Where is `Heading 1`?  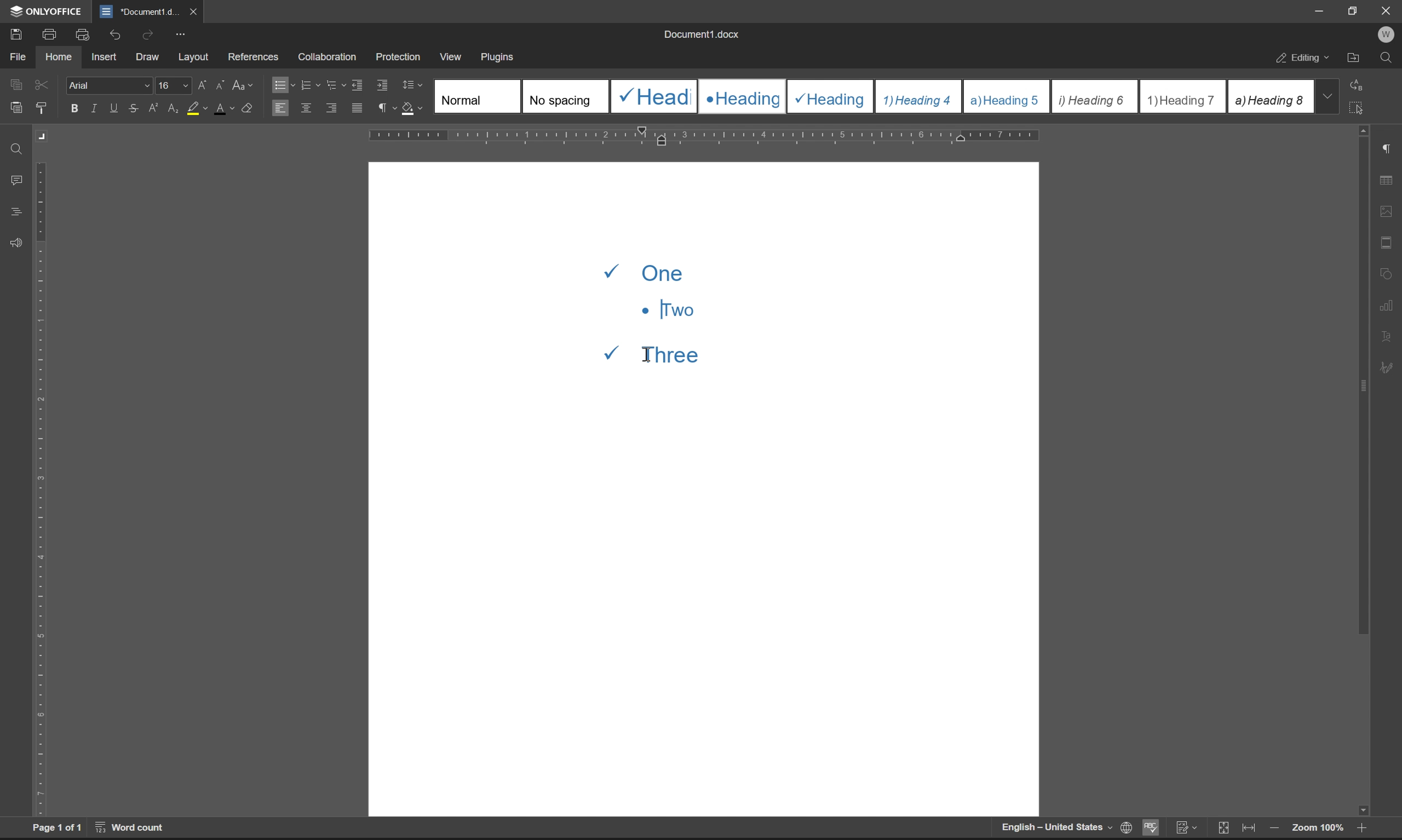 Heading 1 is located at coordinates (652, 96).